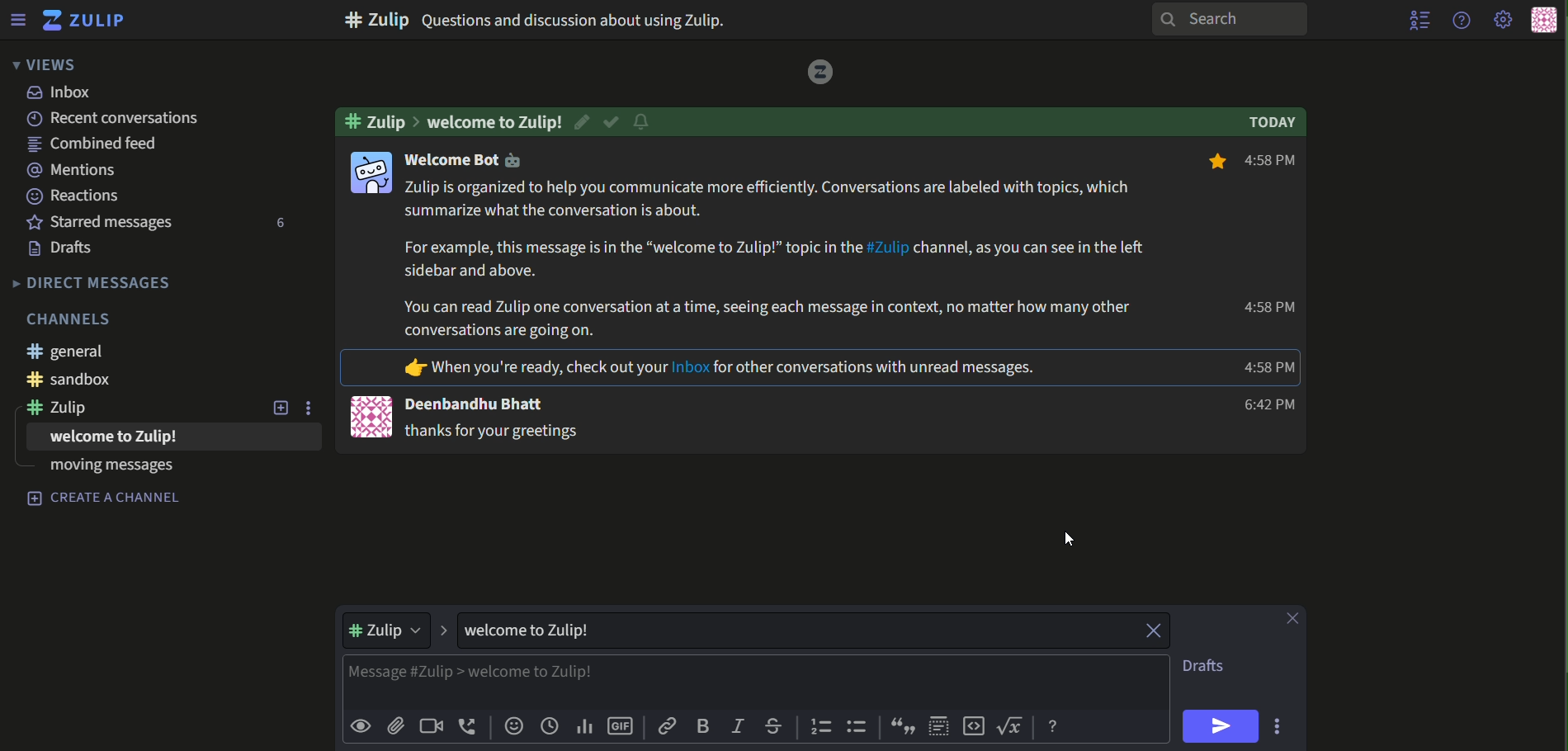 Image resolution: width=1568 pixels, height=751 pixels. I want to click on Time, so click(1272, 367).